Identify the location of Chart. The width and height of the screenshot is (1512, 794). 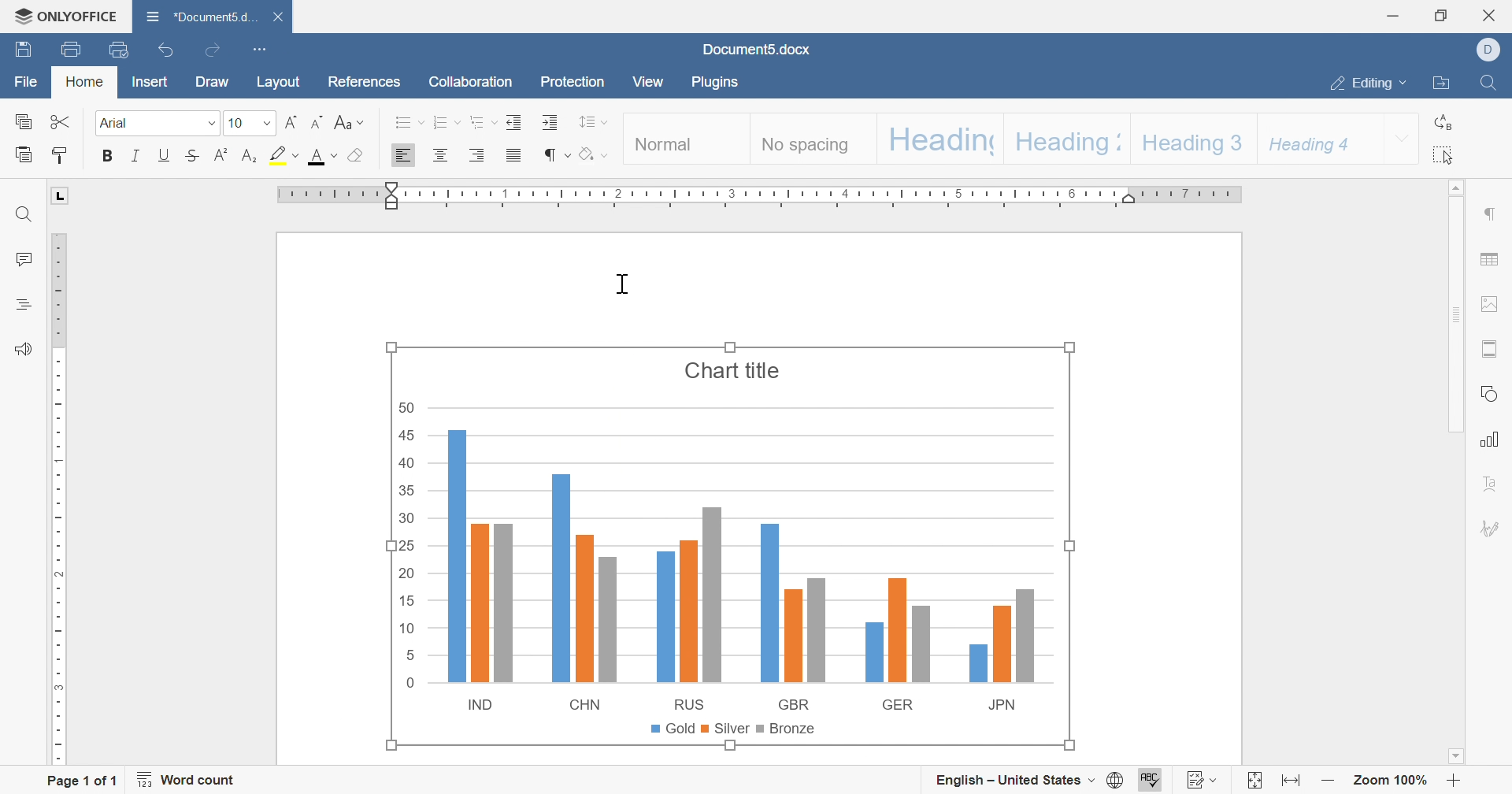
(728, 546).